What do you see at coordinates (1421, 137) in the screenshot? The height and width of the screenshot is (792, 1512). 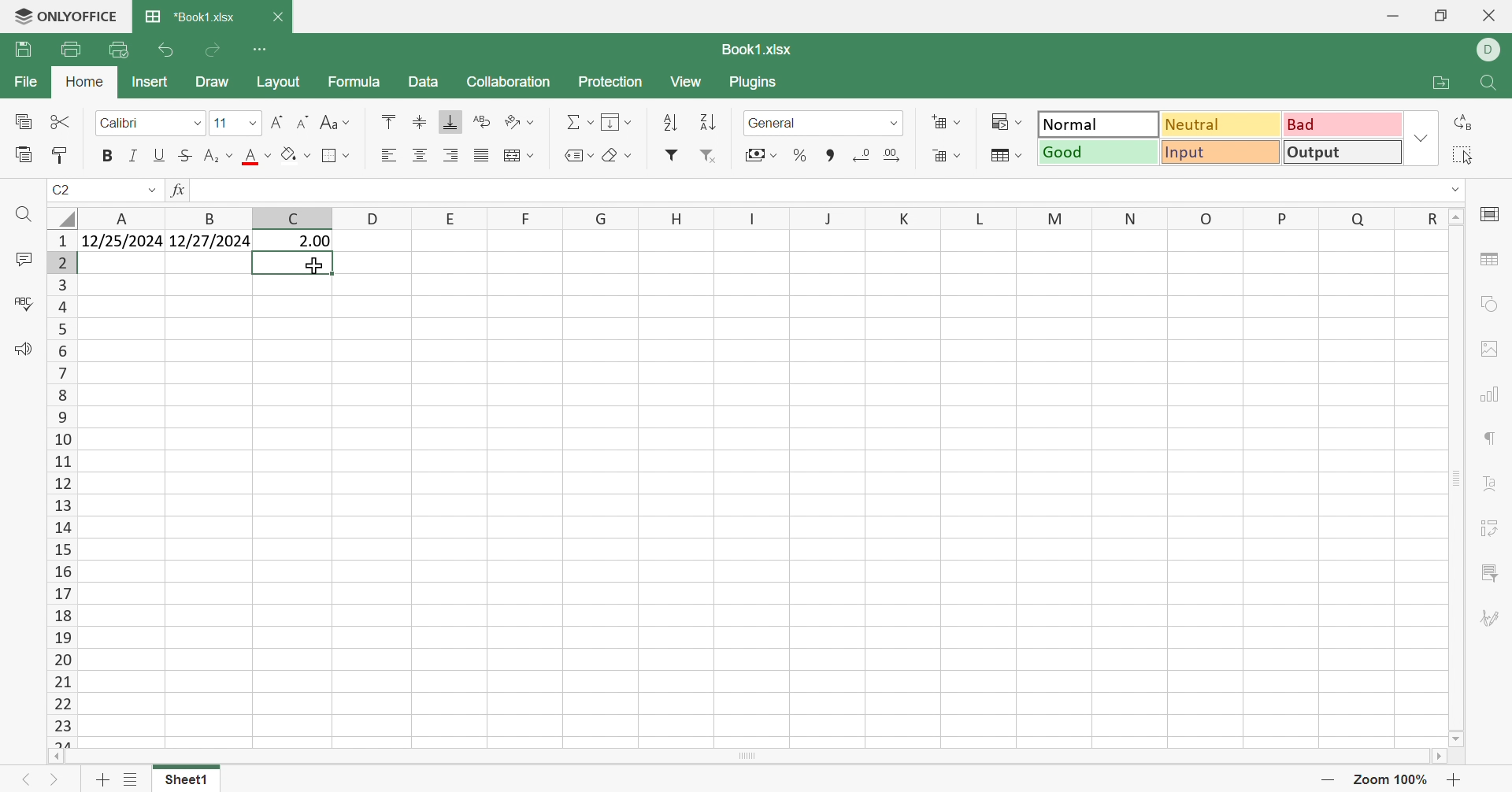 I see `Drop Down` at bounding box center [1421, 137].